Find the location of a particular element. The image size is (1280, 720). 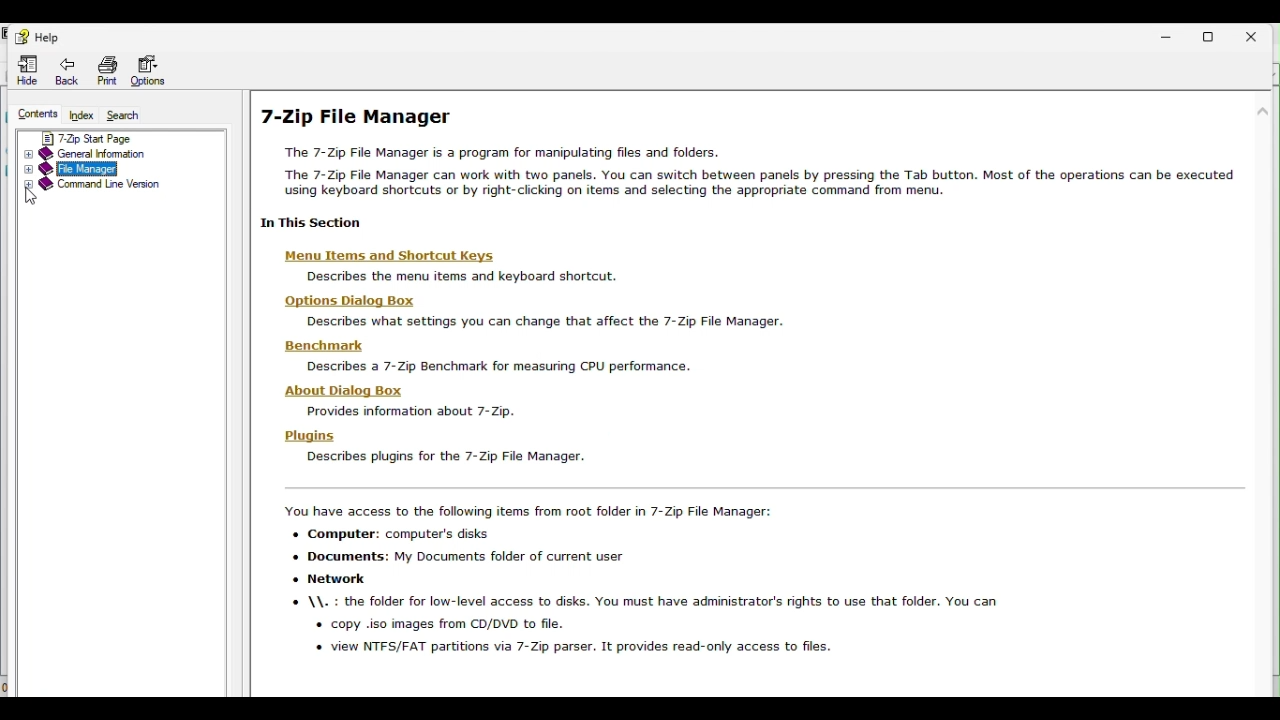

Hide is located at coordinates (24, 68).